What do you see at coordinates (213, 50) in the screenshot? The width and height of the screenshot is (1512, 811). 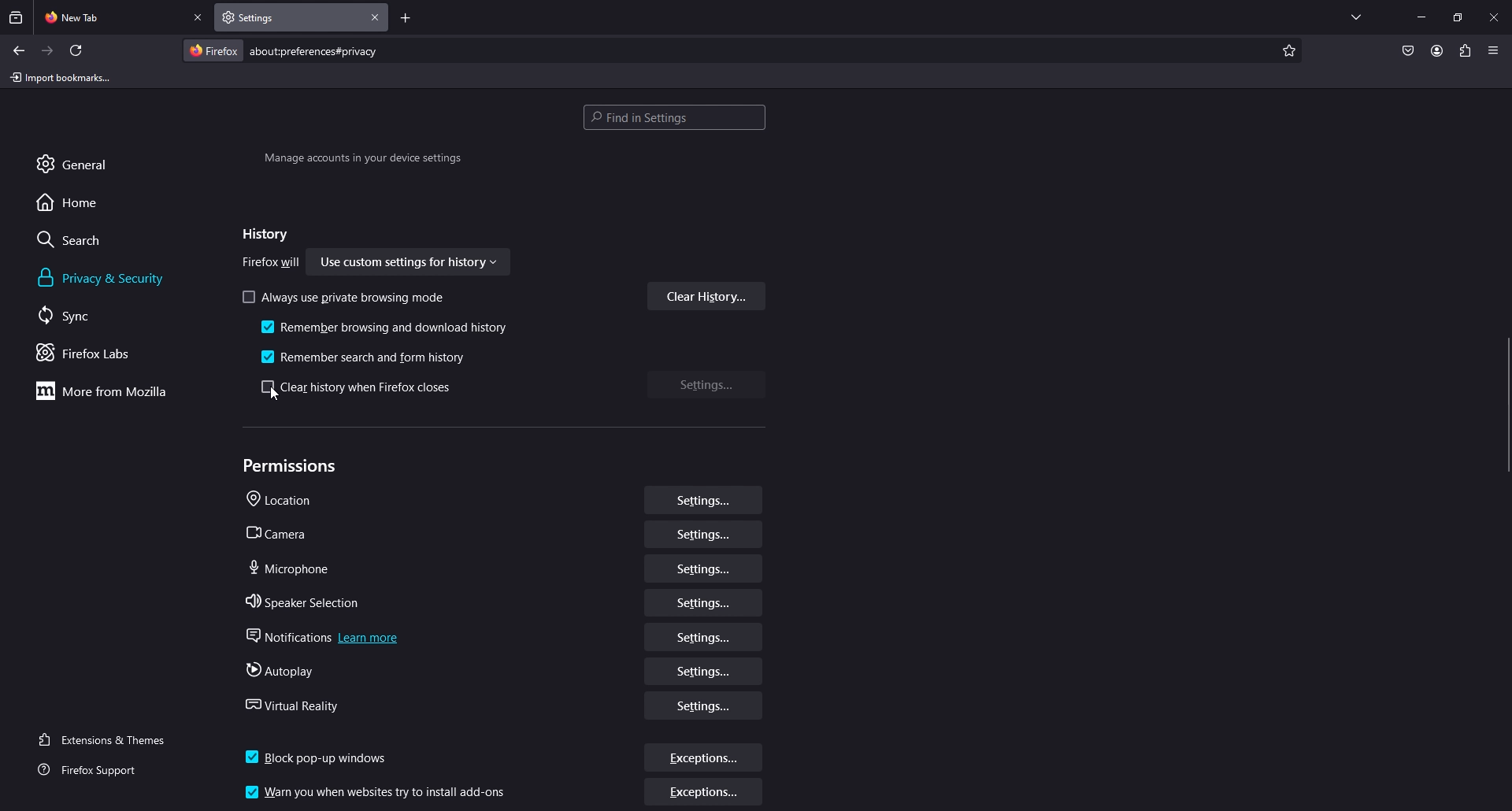 I see `firefox logo` at bounding box center [213, 50].